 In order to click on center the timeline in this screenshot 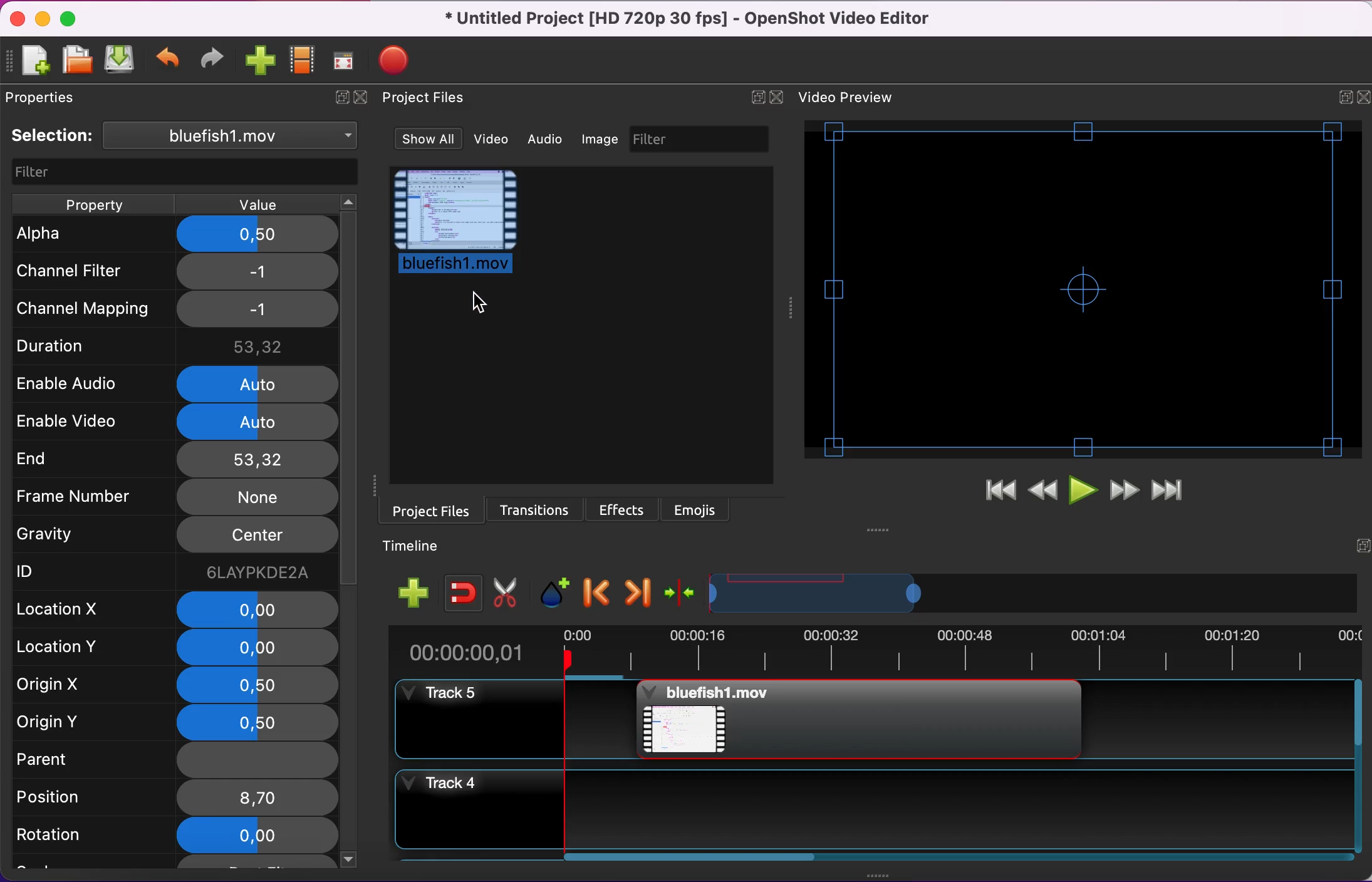, I will do `click(681, 594)`.